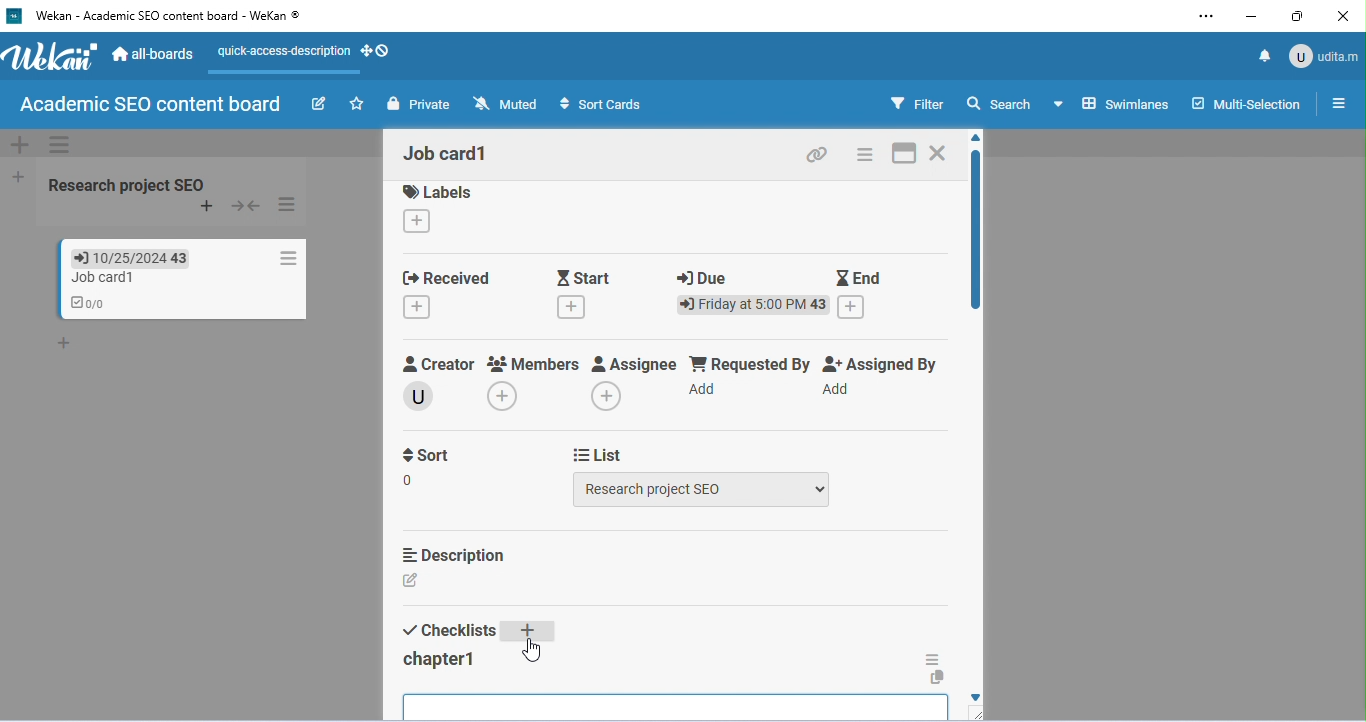 This screenshot has height=722, width=1366. I want to click on all-boards, so click(153, 53).